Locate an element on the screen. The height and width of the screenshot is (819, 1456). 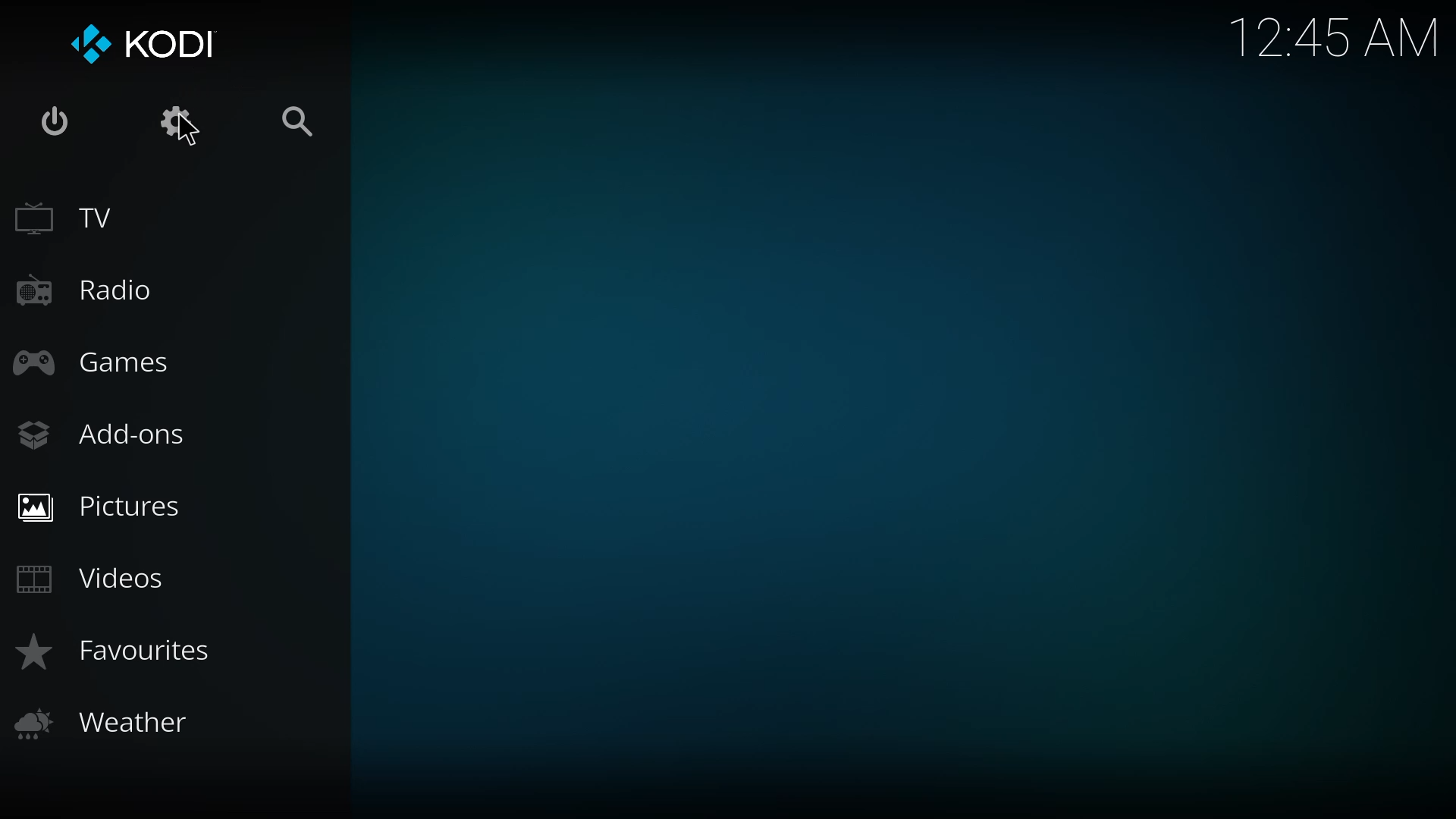
pictures is located at coordinates (109, 506).